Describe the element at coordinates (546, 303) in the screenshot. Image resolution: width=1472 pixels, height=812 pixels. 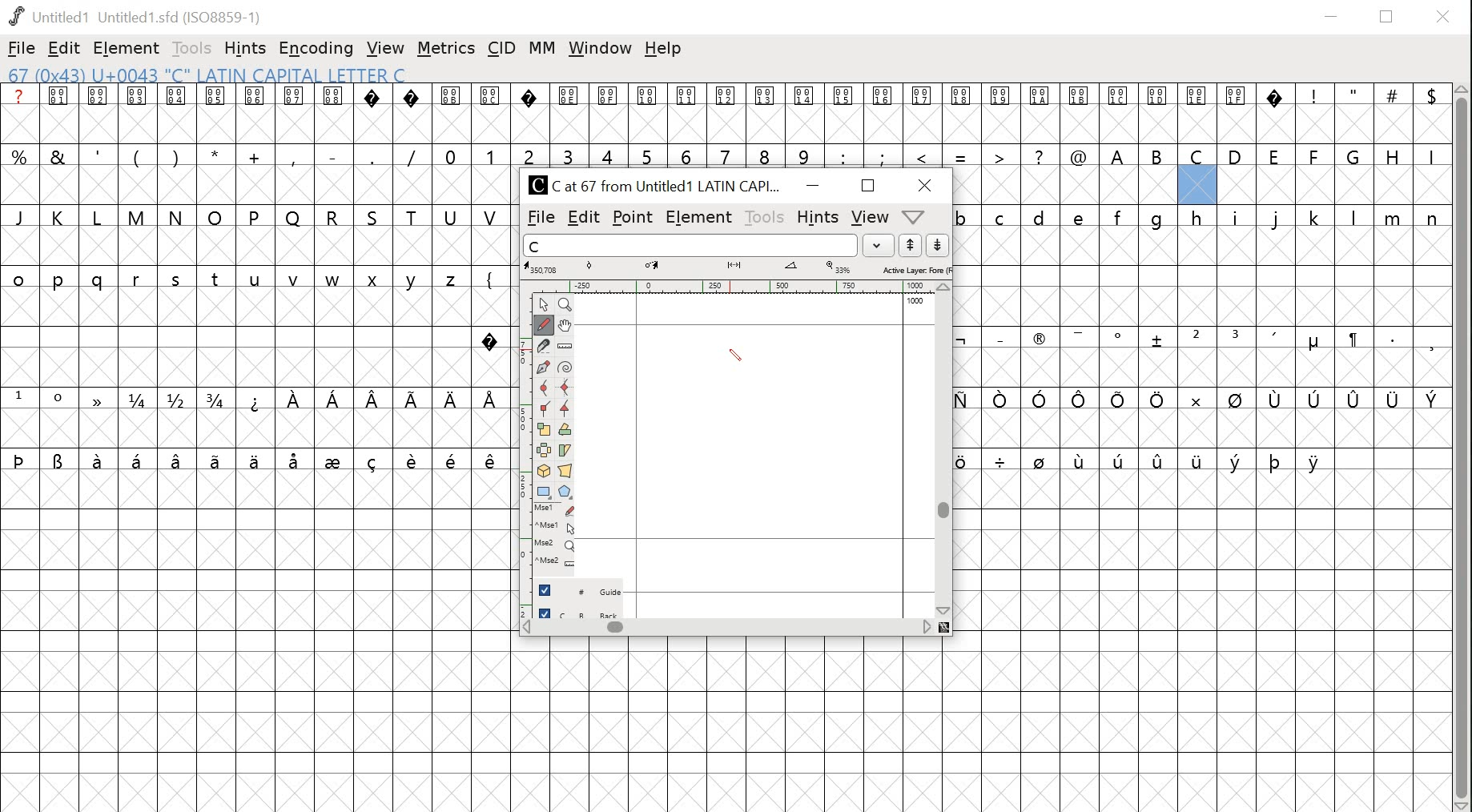
I see `point` at that location.